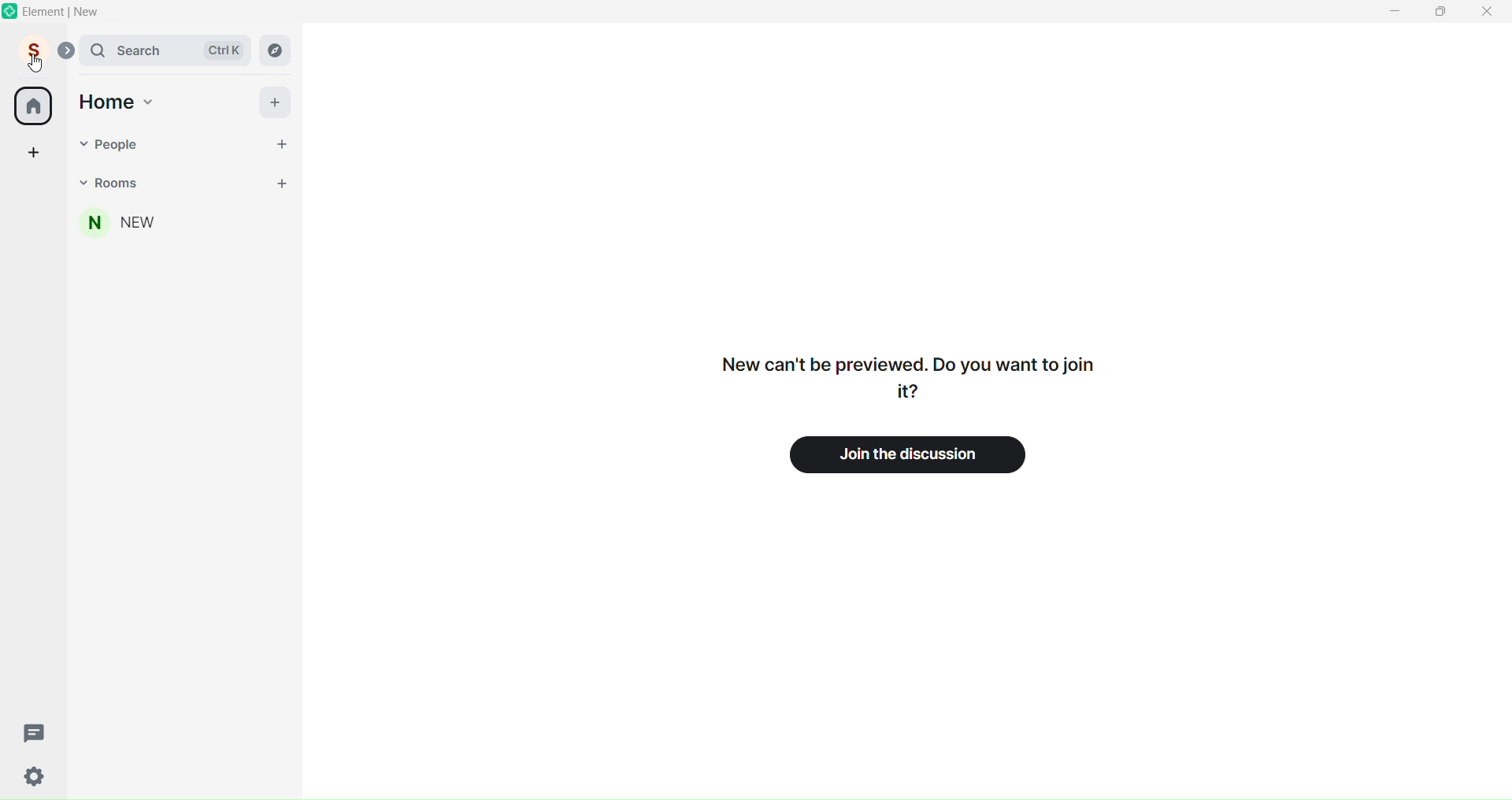  What do you see at coordinates (31, 52) in the screenshot?
I see `Profile` at bounding box center [31, 52].